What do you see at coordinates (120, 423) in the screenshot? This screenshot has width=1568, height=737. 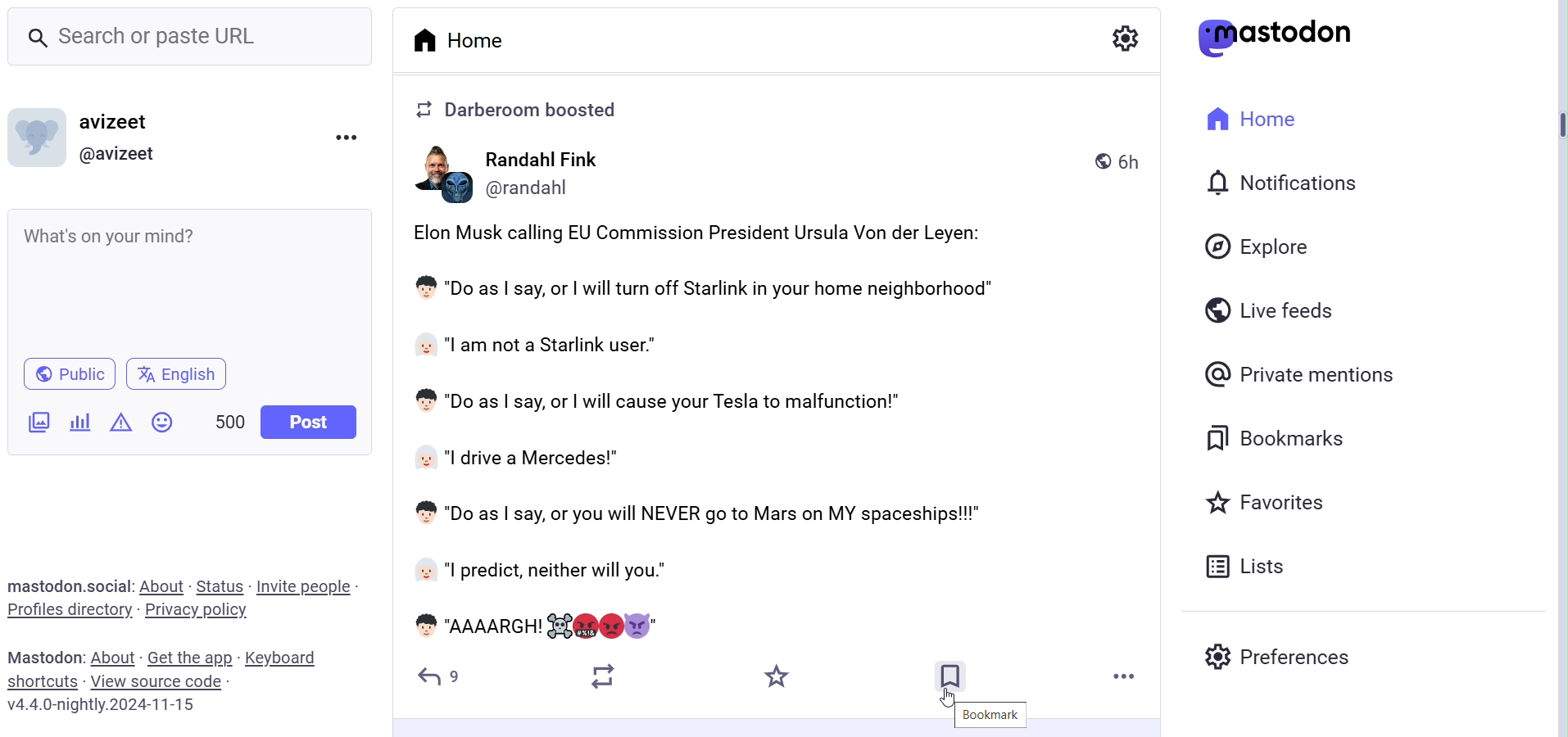 I see `Content Warning` at bounding box center [120, 423].